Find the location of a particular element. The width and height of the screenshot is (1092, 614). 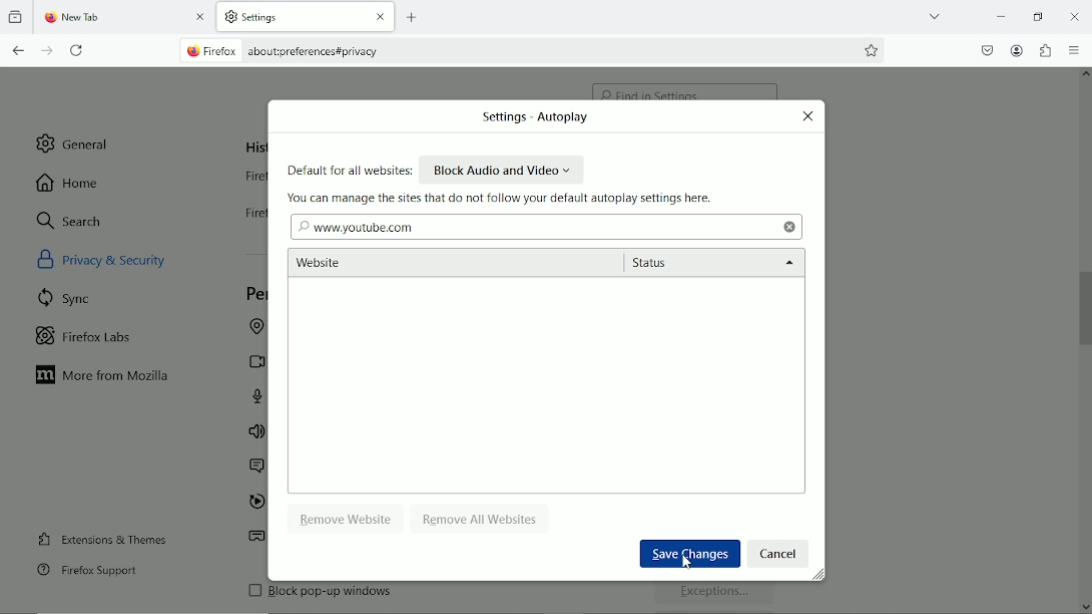

black audio and video is located at coordinates (503, 169).